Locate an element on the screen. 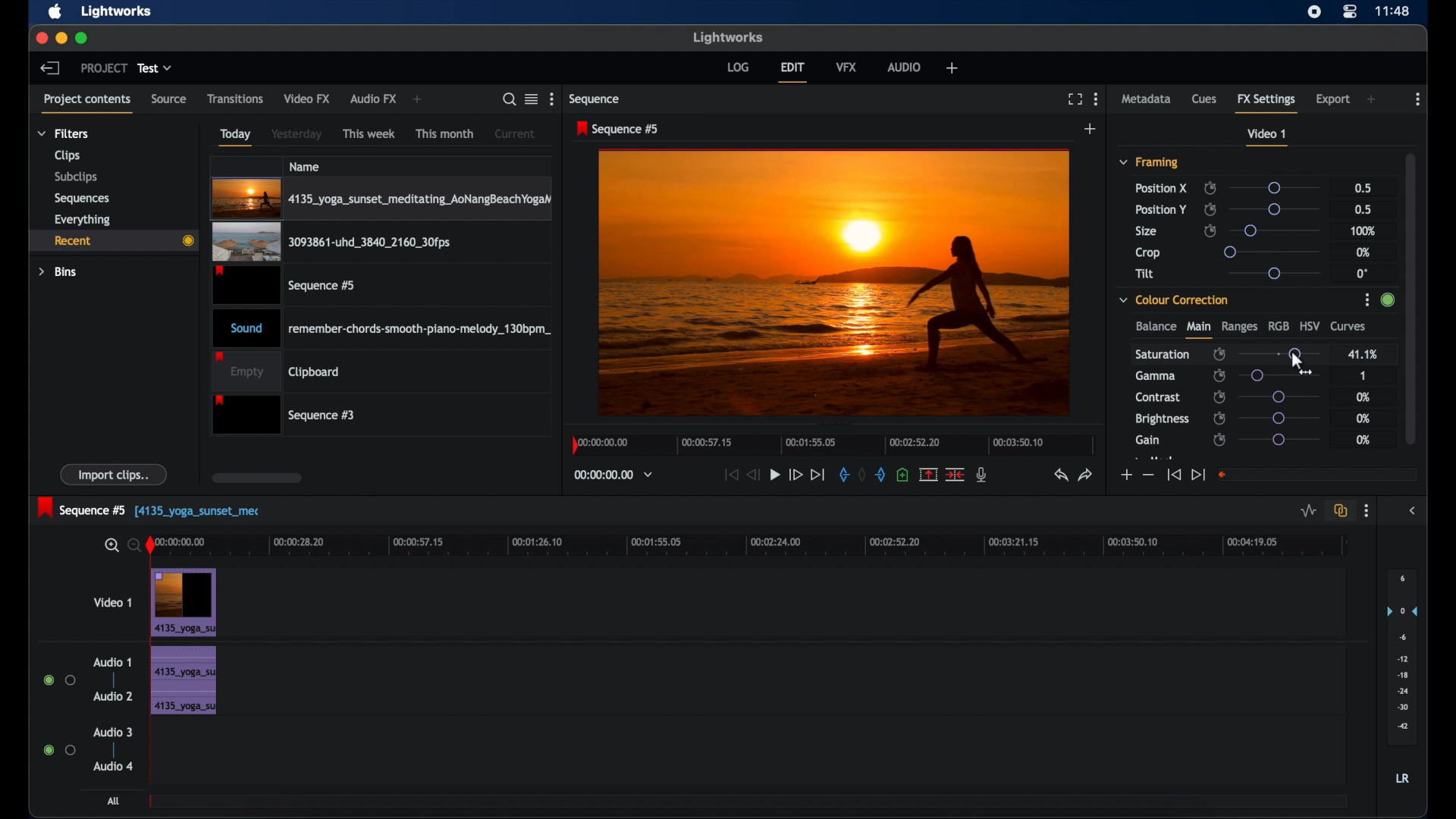 This screenshot has height=819, width=1456. import clips is located at coordinates (115, 475).